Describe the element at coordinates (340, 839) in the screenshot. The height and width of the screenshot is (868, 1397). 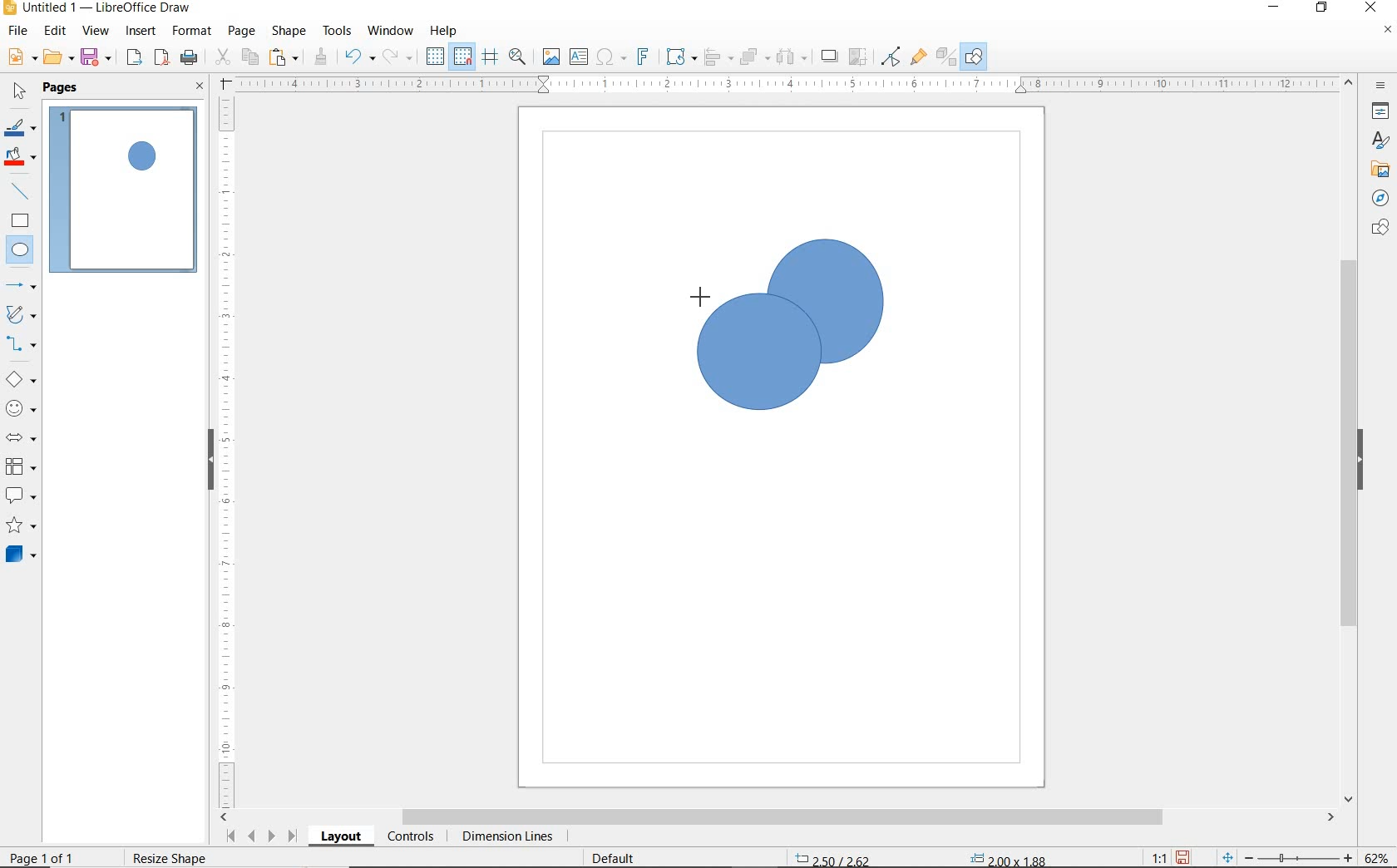
I see `LAYOUT` at that location.